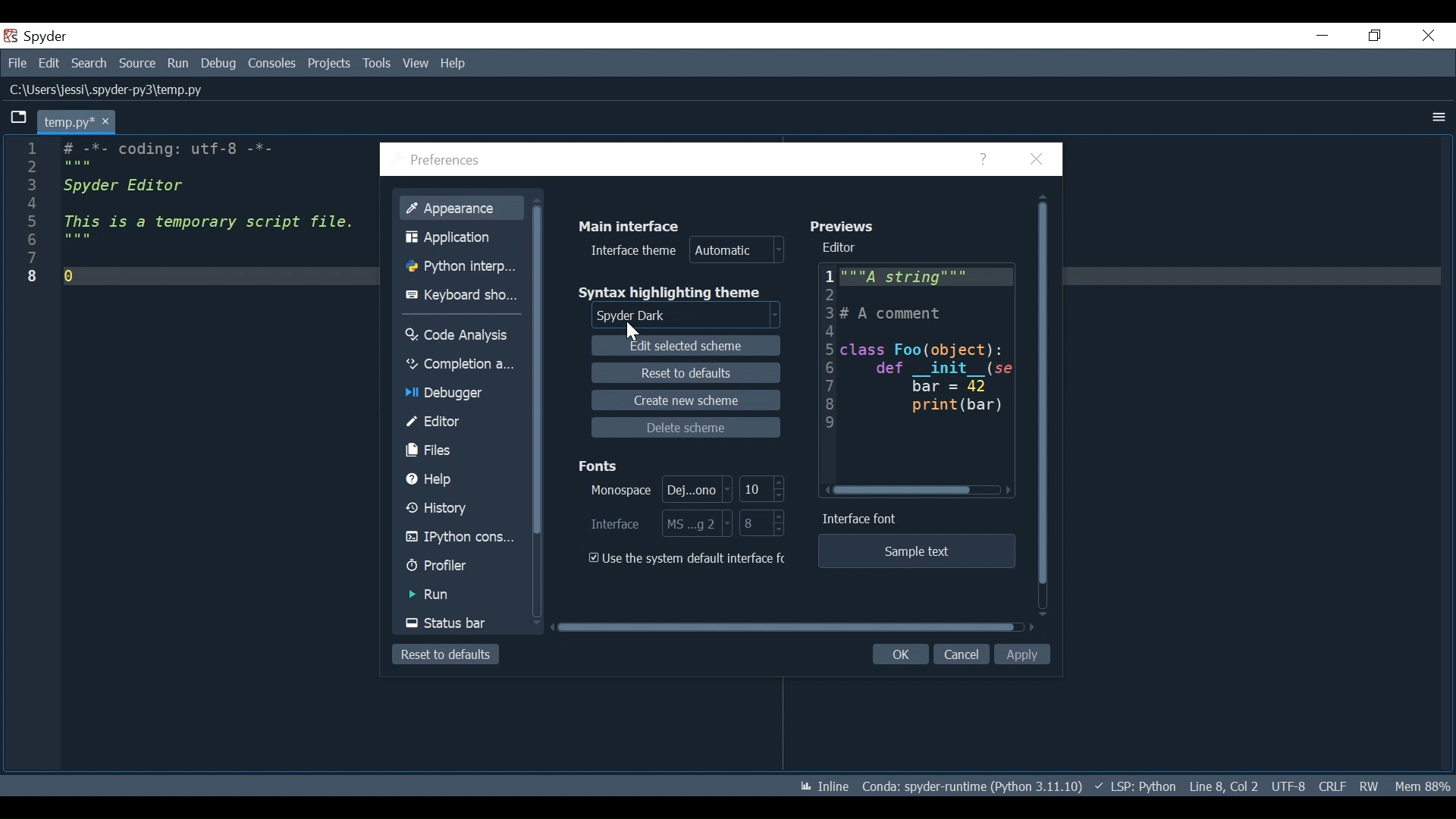  What do you see at coordinates (916, 371) in the screenshot?
I see `Editor Preview` at bounding box center [916, 371].